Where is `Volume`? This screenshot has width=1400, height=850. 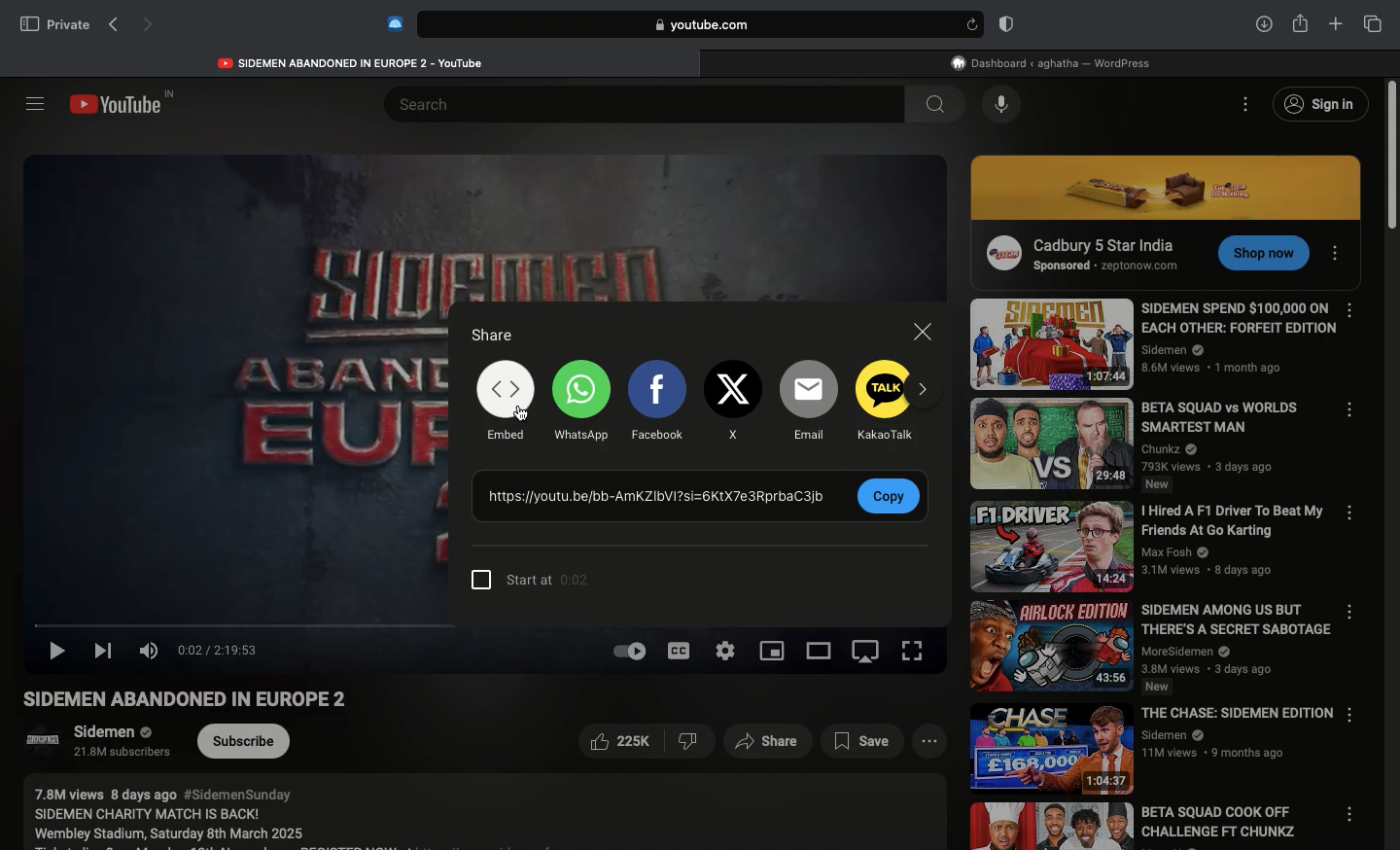 Volume is located at coordinates (148, 651).